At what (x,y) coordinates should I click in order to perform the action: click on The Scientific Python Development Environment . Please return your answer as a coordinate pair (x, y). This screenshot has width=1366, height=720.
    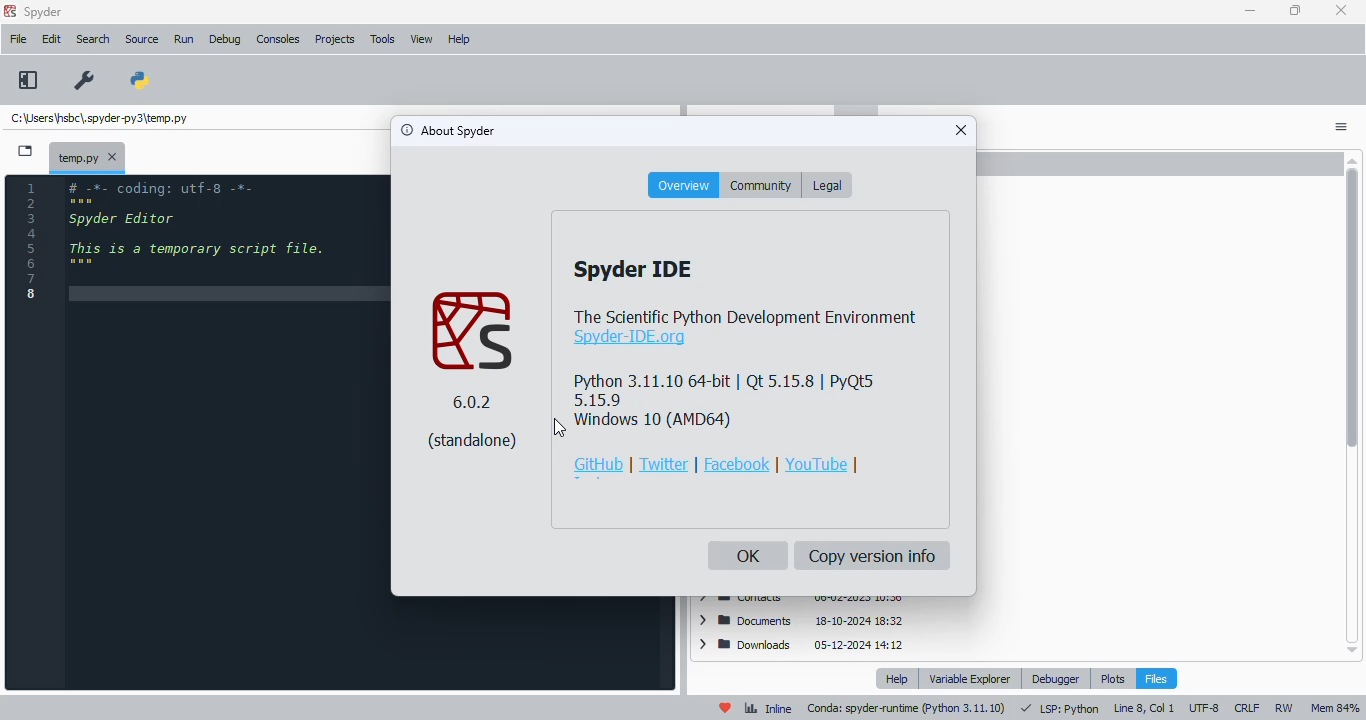
    Looking at the image, I should click on (746, 315).